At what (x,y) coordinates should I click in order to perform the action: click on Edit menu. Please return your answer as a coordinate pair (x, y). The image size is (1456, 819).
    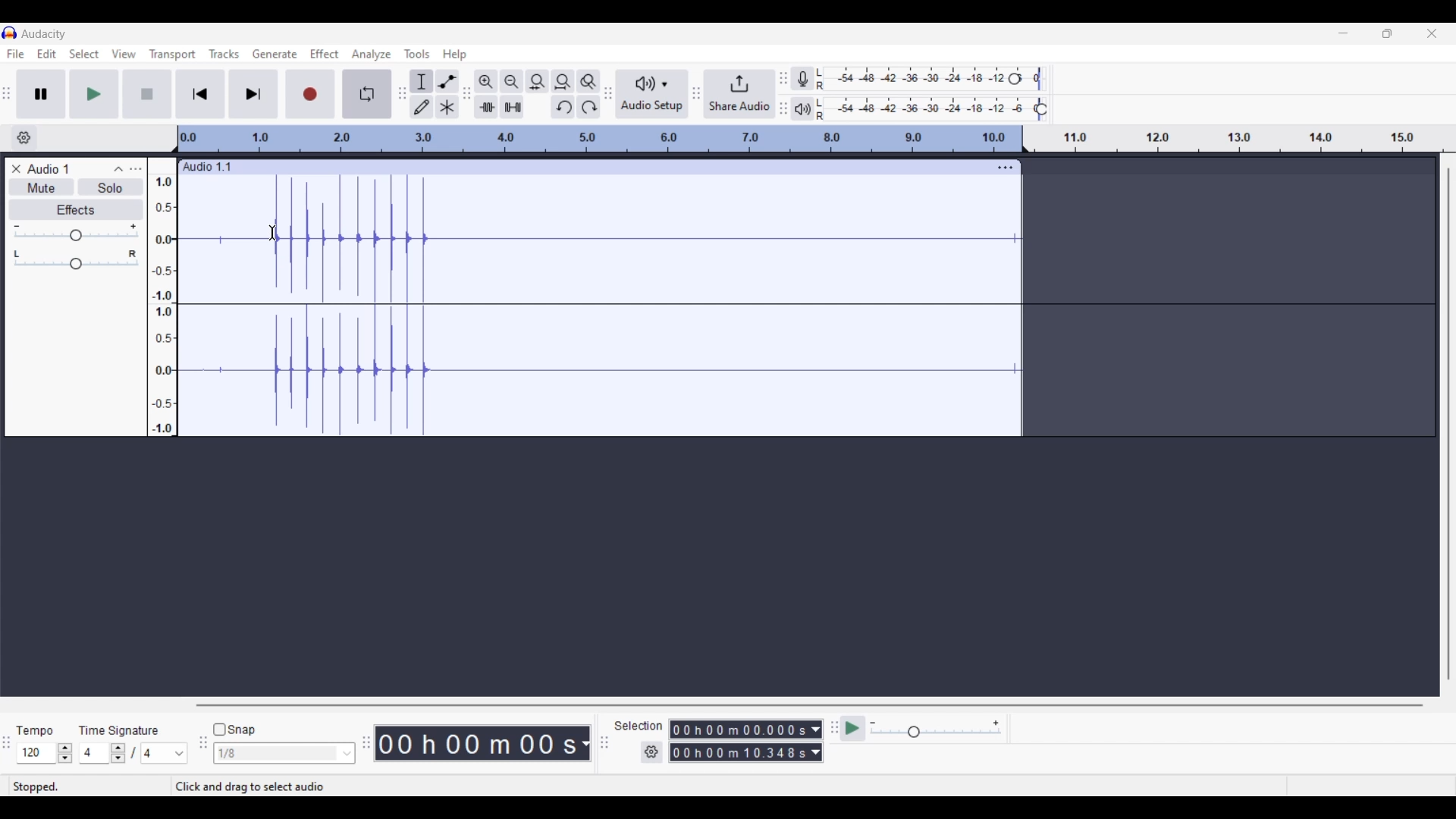
    Looking at the image, I should click on (47, 53).